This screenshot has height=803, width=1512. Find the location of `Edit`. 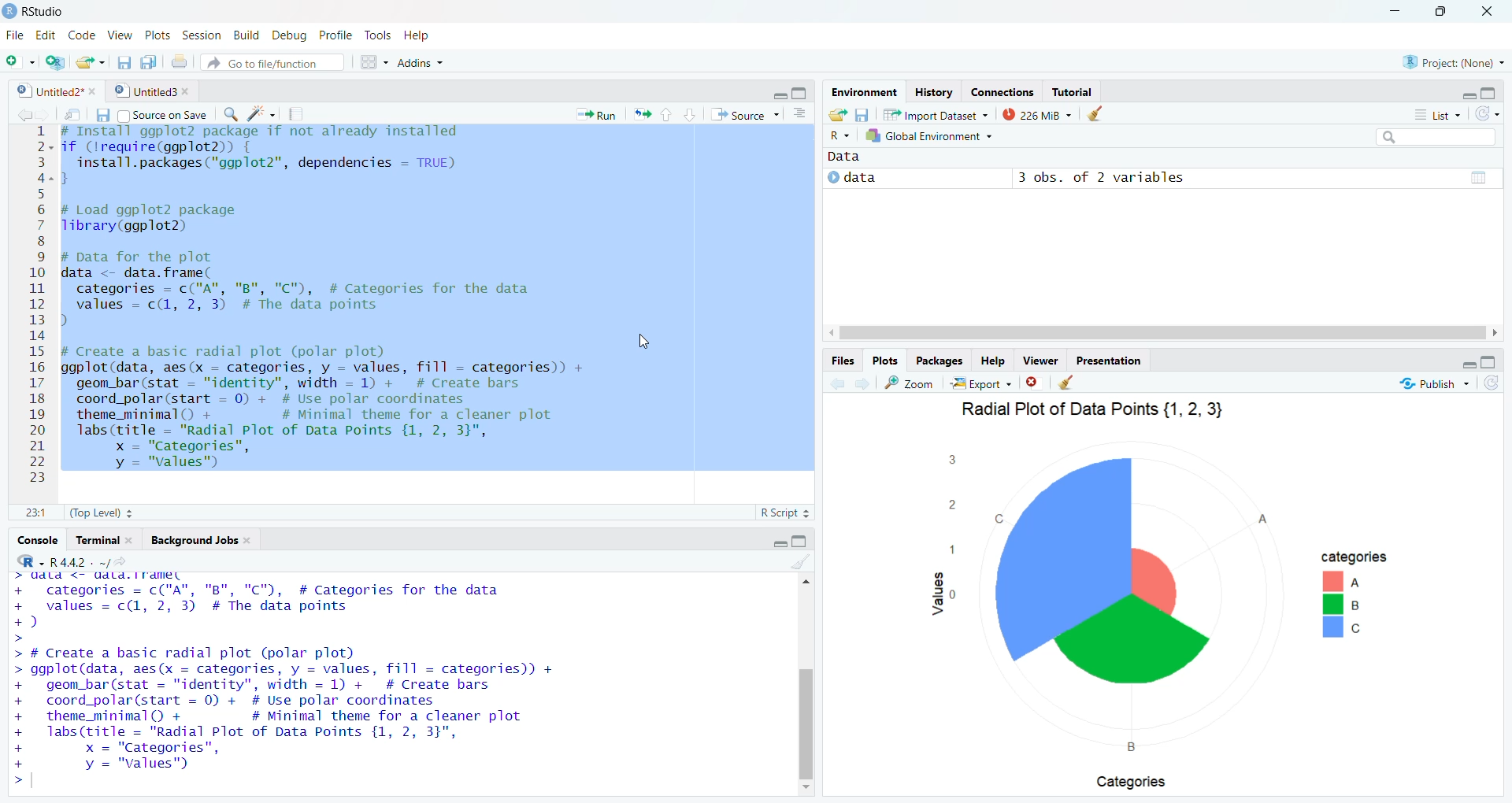

Edit is located at coordinates (44, 37).